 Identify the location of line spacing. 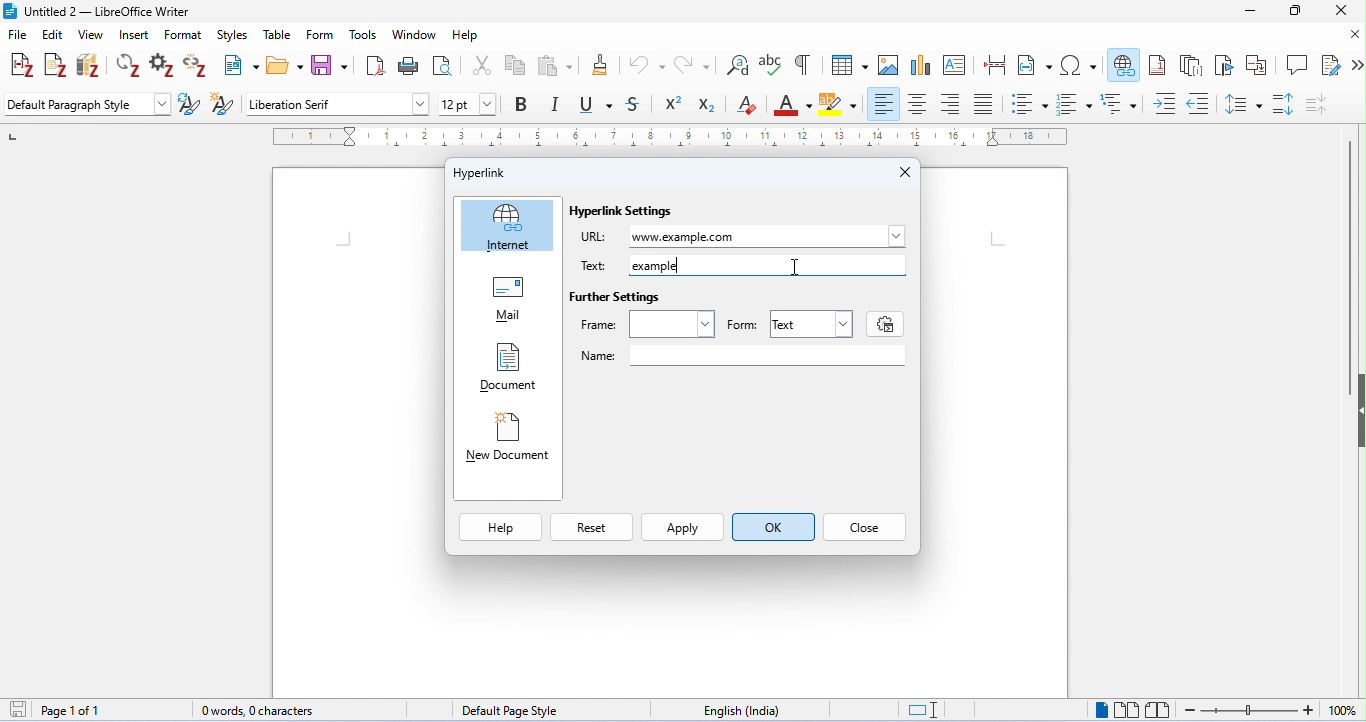
(1244, 103).